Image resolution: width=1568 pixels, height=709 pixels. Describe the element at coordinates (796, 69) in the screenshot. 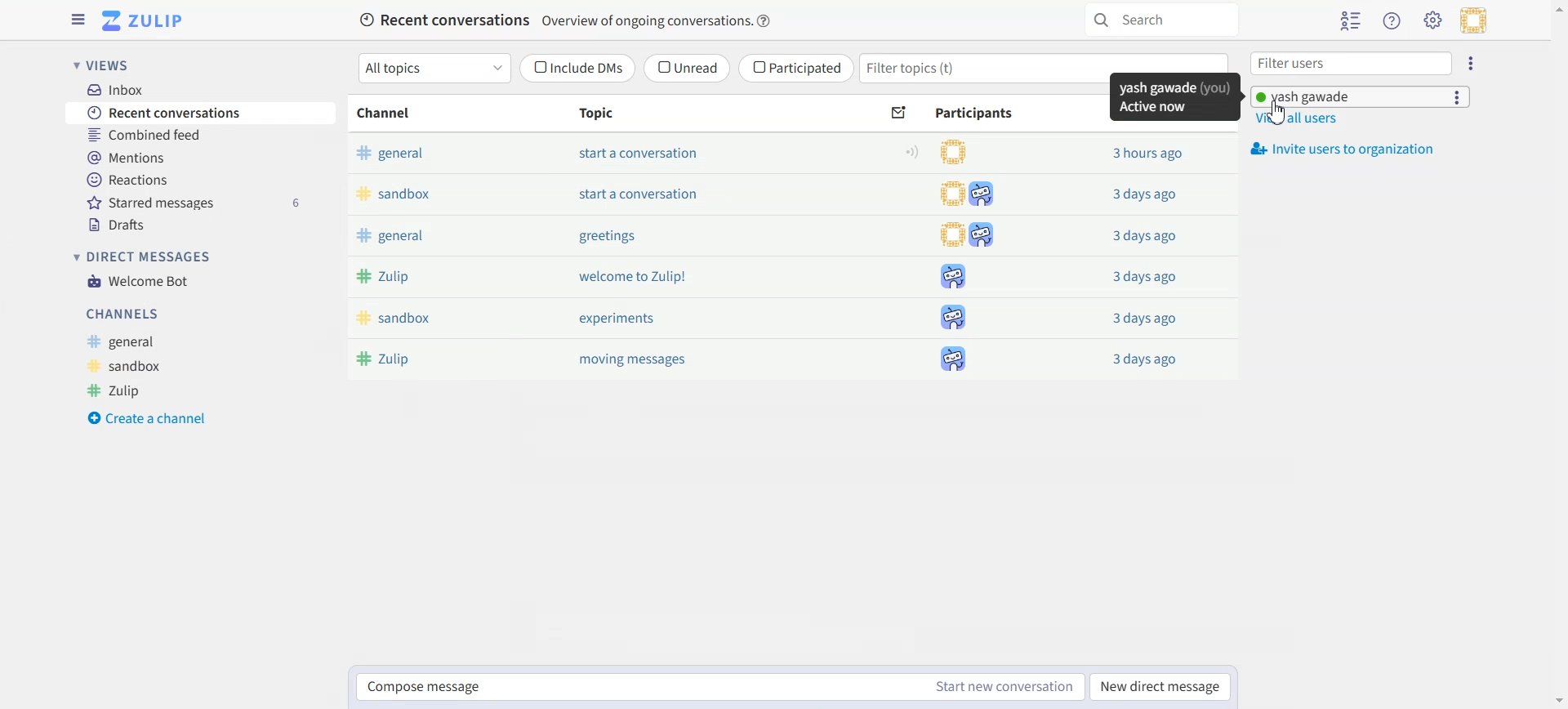

I see `Participated` at that location.